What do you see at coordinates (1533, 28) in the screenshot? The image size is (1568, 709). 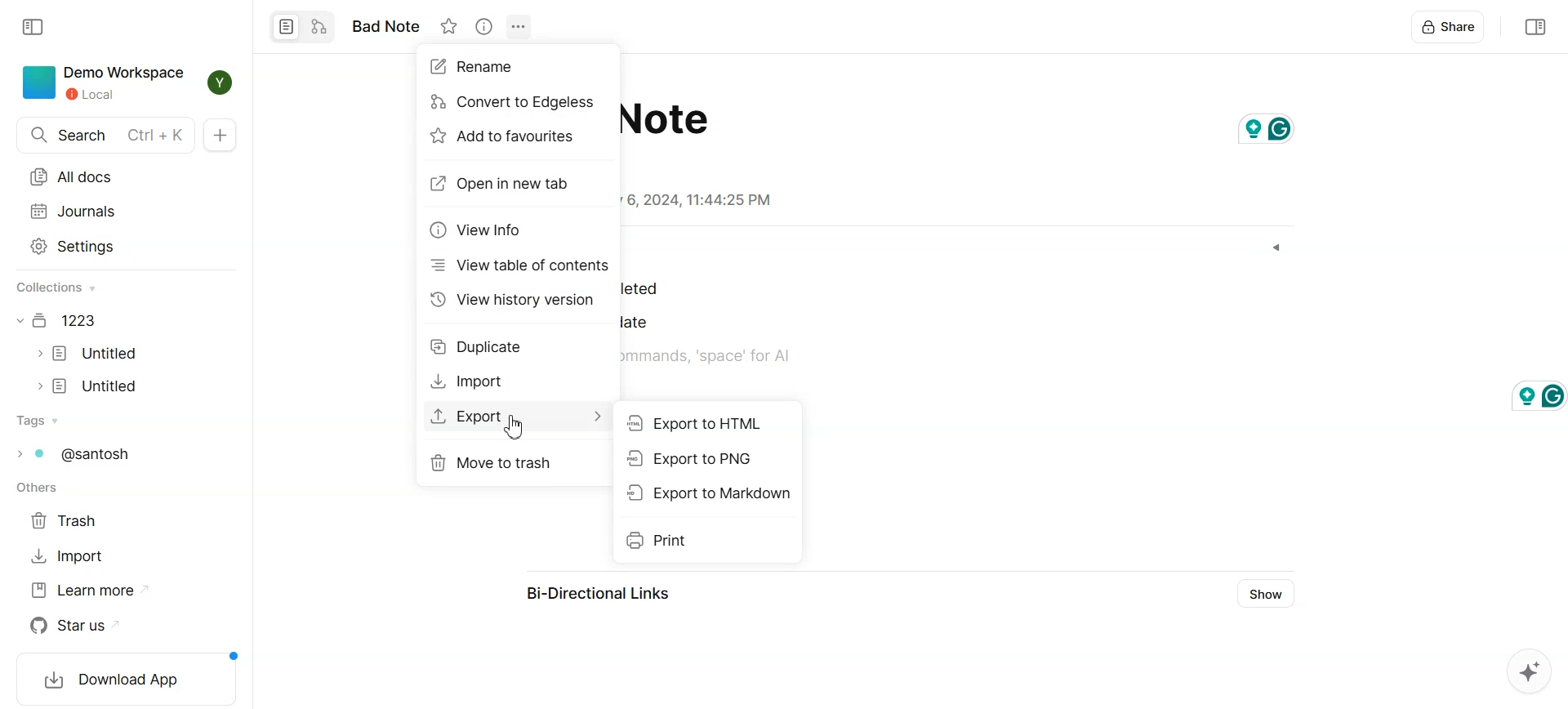 I see `Collapse sidebar` at bounding box center [1533, 28].